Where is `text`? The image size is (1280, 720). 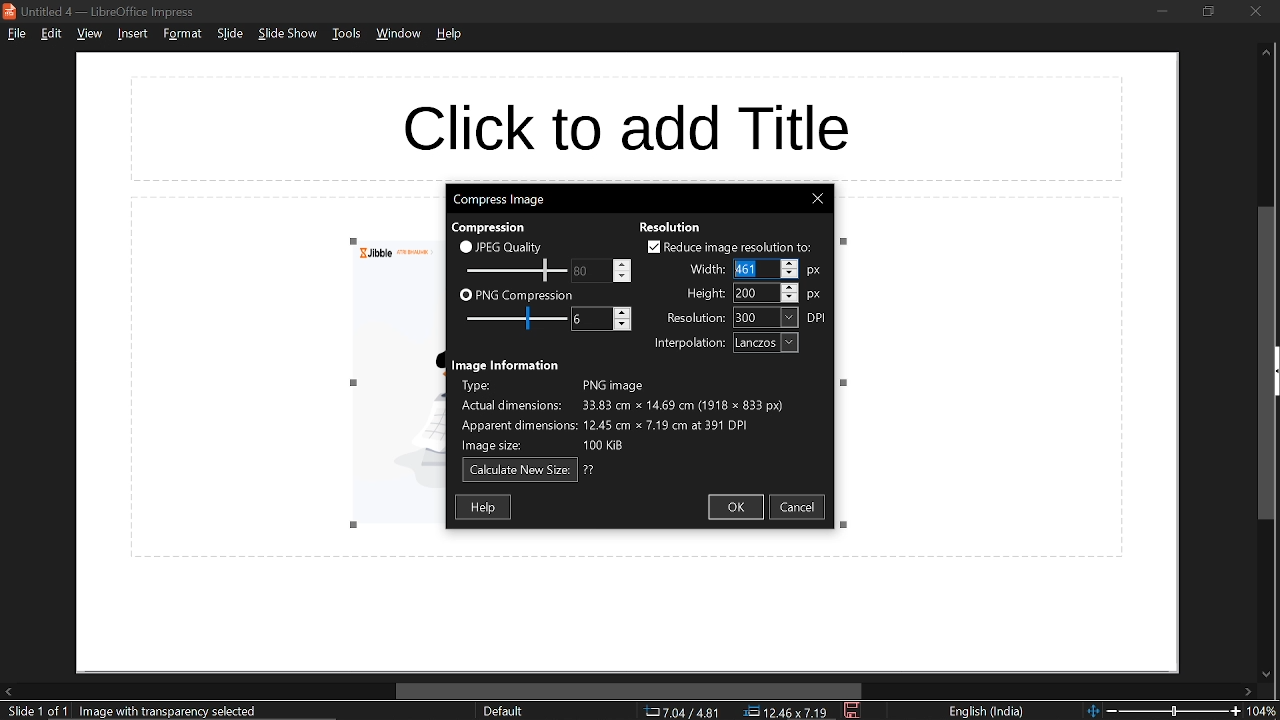
text is located at coordinates (707, 269).